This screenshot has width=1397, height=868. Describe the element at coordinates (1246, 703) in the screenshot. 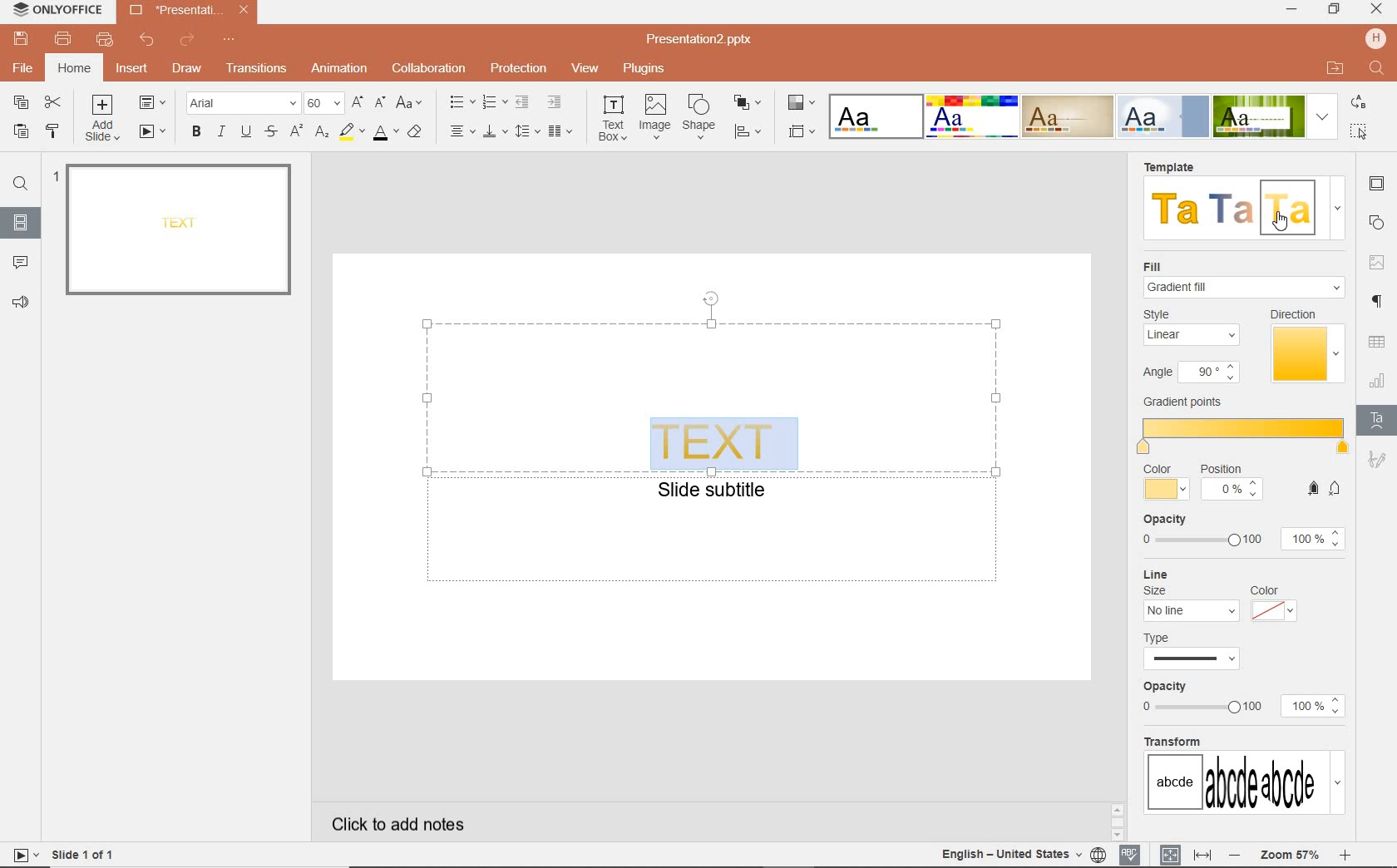

I see `opacity` at that location.